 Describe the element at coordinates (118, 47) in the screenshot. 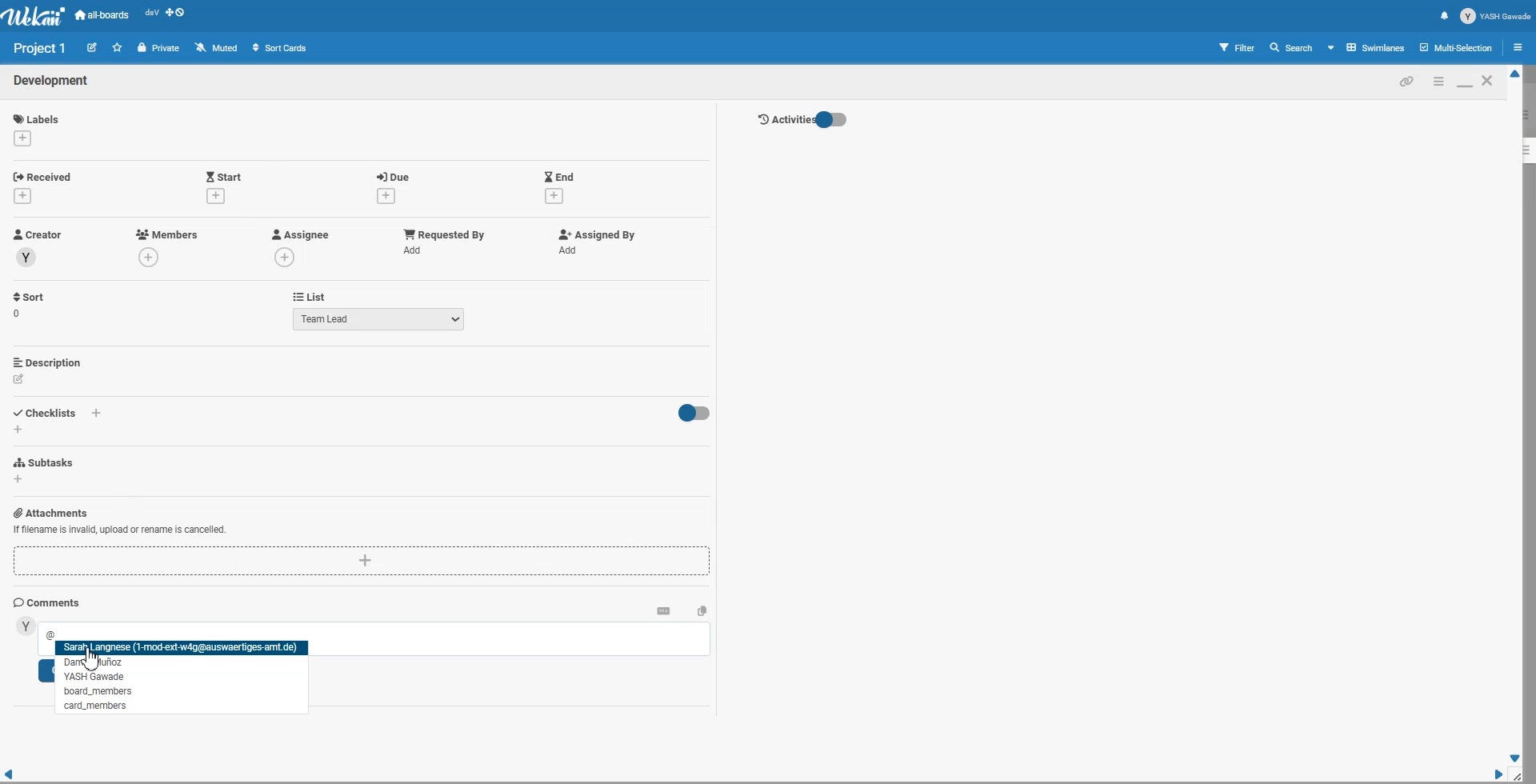

I see `Click to star this board` at that location.